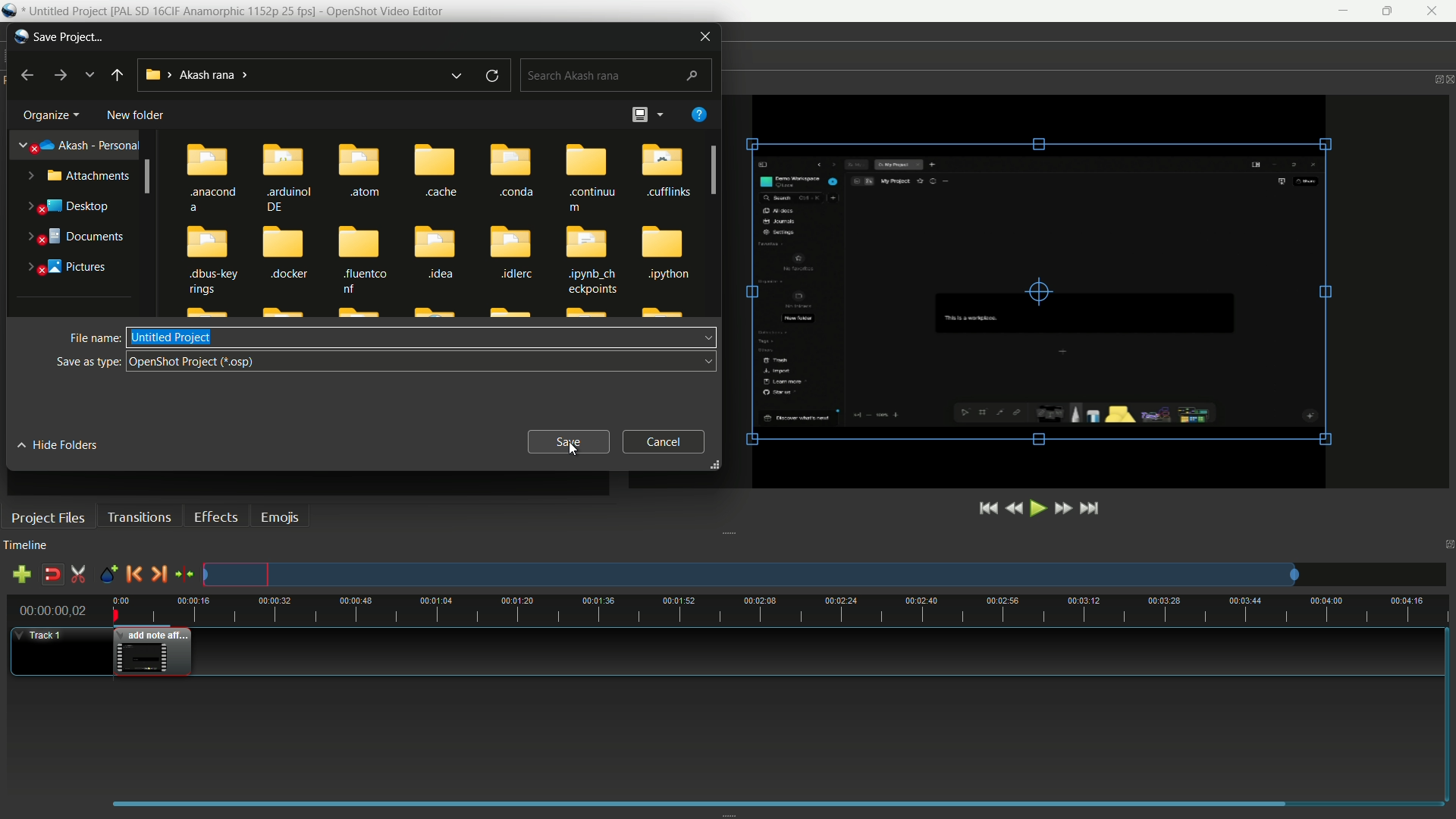 The width and height of the screenshot is (1456, 819). Describe the element at coordinates (80, 177) in the screenshot. I see `attachments` at that location.